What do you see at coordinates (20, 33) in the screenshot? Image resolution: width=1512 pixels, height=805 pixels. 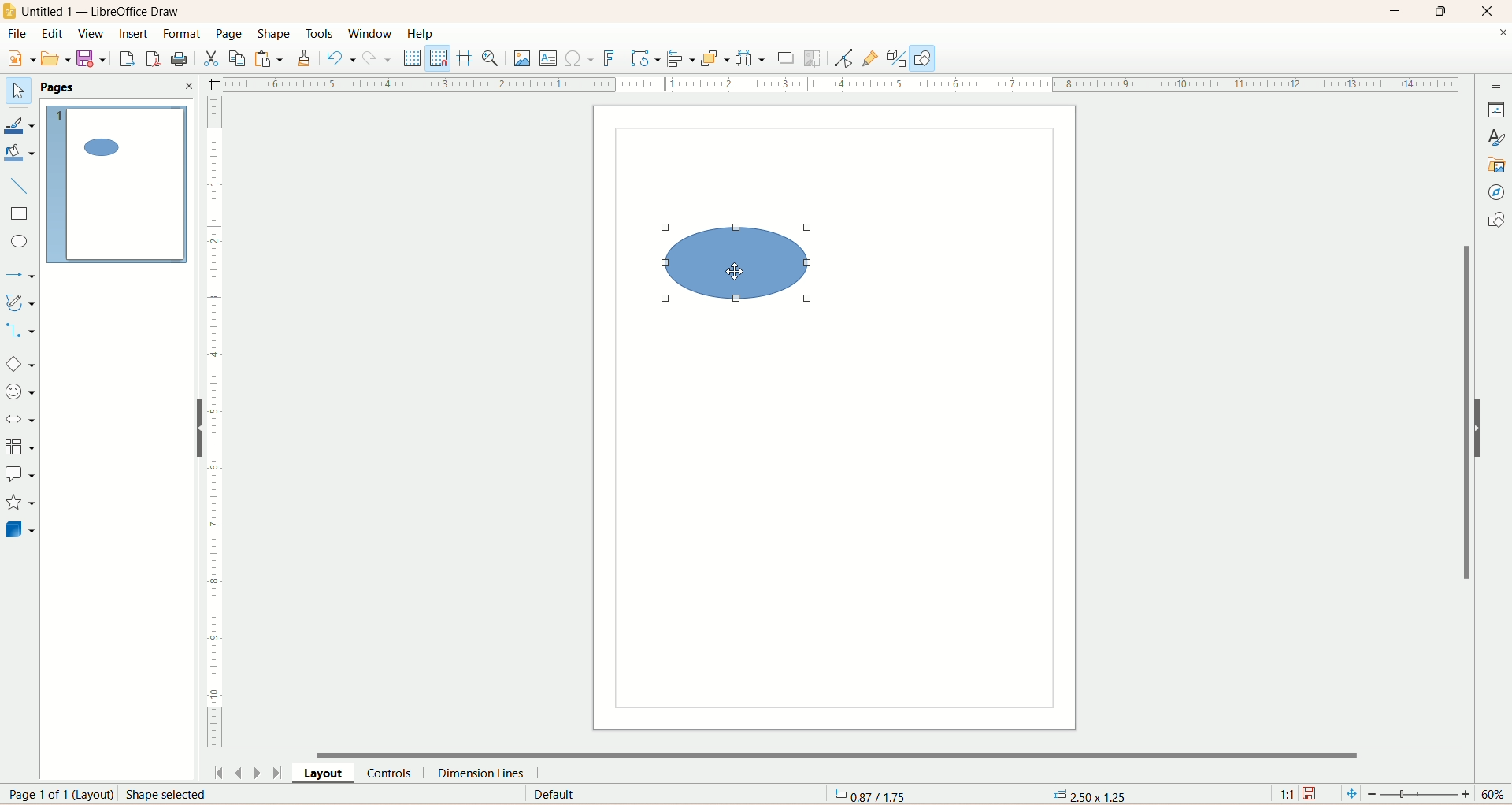 I see `file` at bounding box center [20, 33].